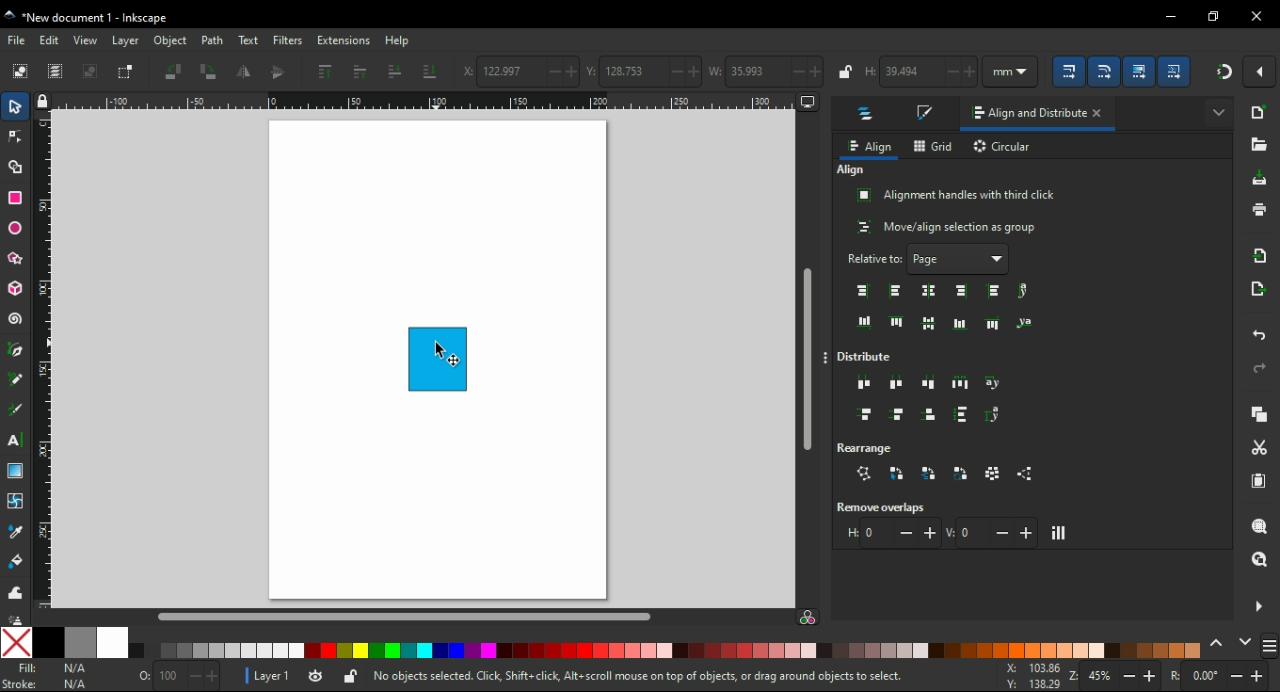 This screenshot has width=1280, height=692. Describe the element at coordinates (867, 114) in the screenshot. I see `layers and object` at that location.